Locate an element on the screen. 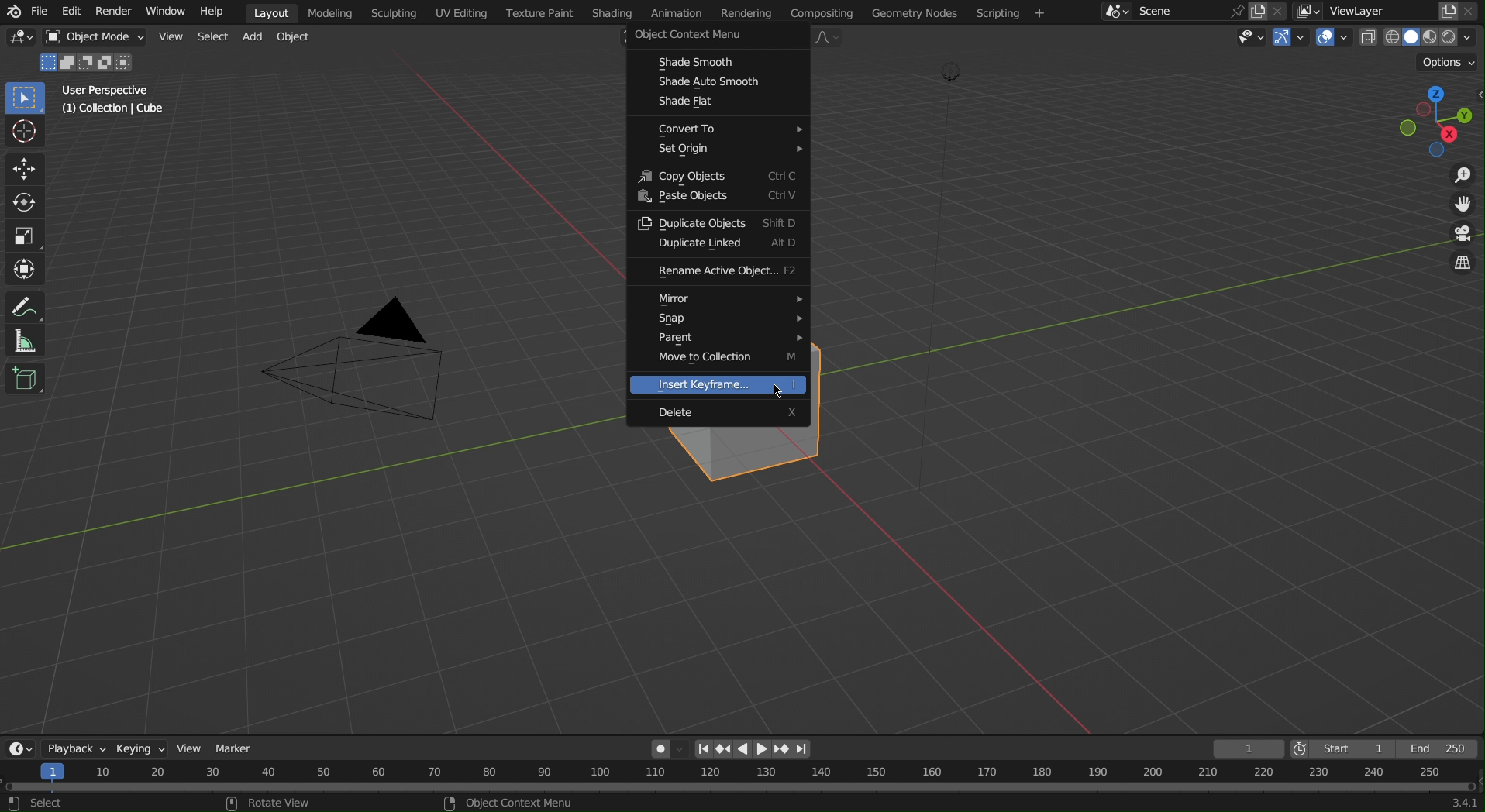  Object Content Menu is located at coordinates (718, 37).